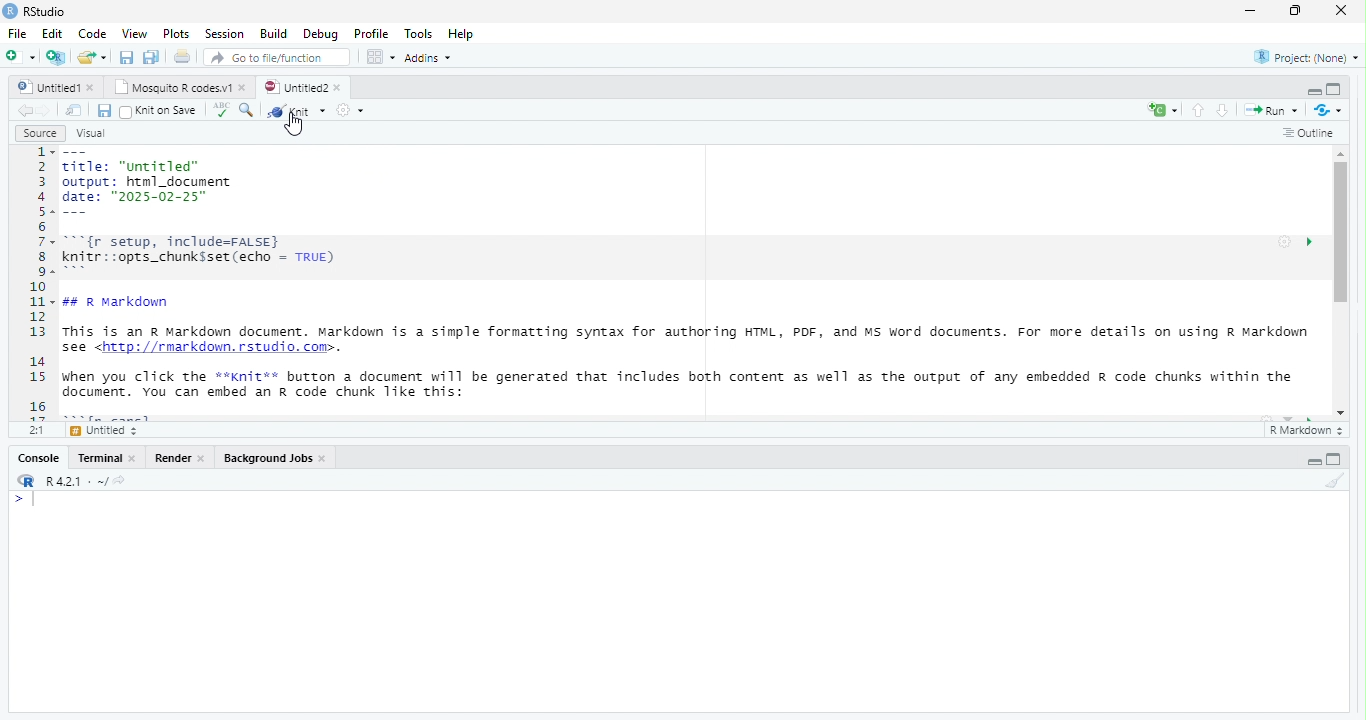  I want to click on 1 2 3 4 5 6 7 8 9 10 11 12 13 14 15 16, so click(39, 283).